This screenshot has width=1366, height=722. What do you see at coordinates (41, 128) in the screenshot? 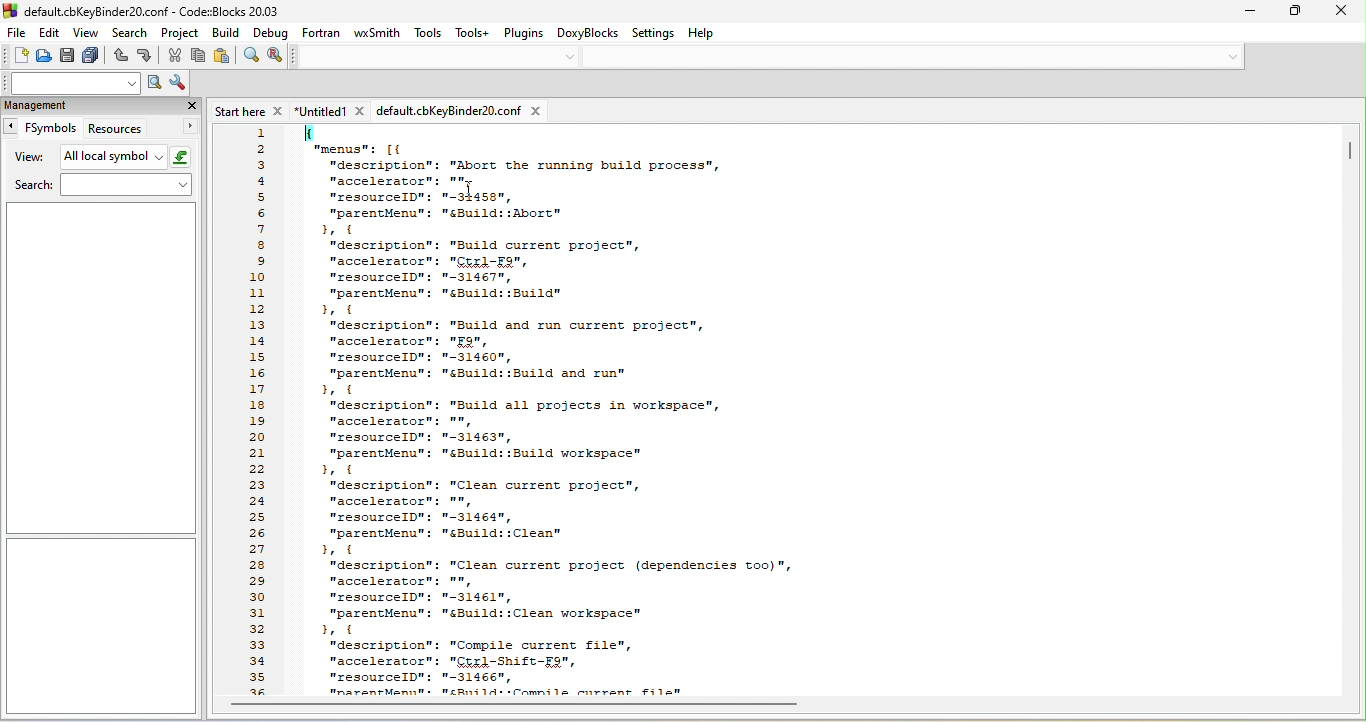
I see `fsymbols` at bounding box center [41, 128].